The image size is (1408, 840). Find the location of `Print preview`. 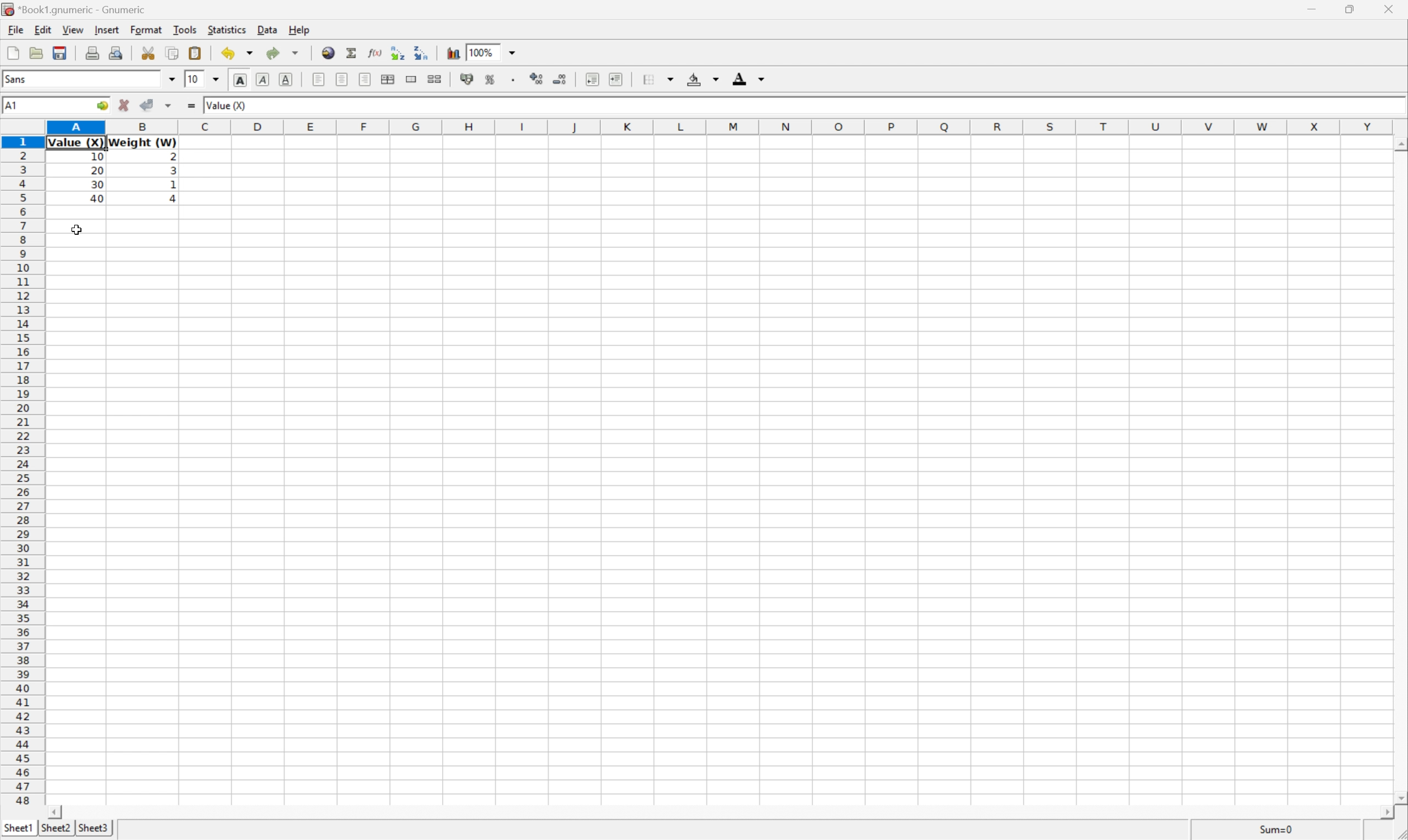

Print preview is located at coordinates (115, 54).